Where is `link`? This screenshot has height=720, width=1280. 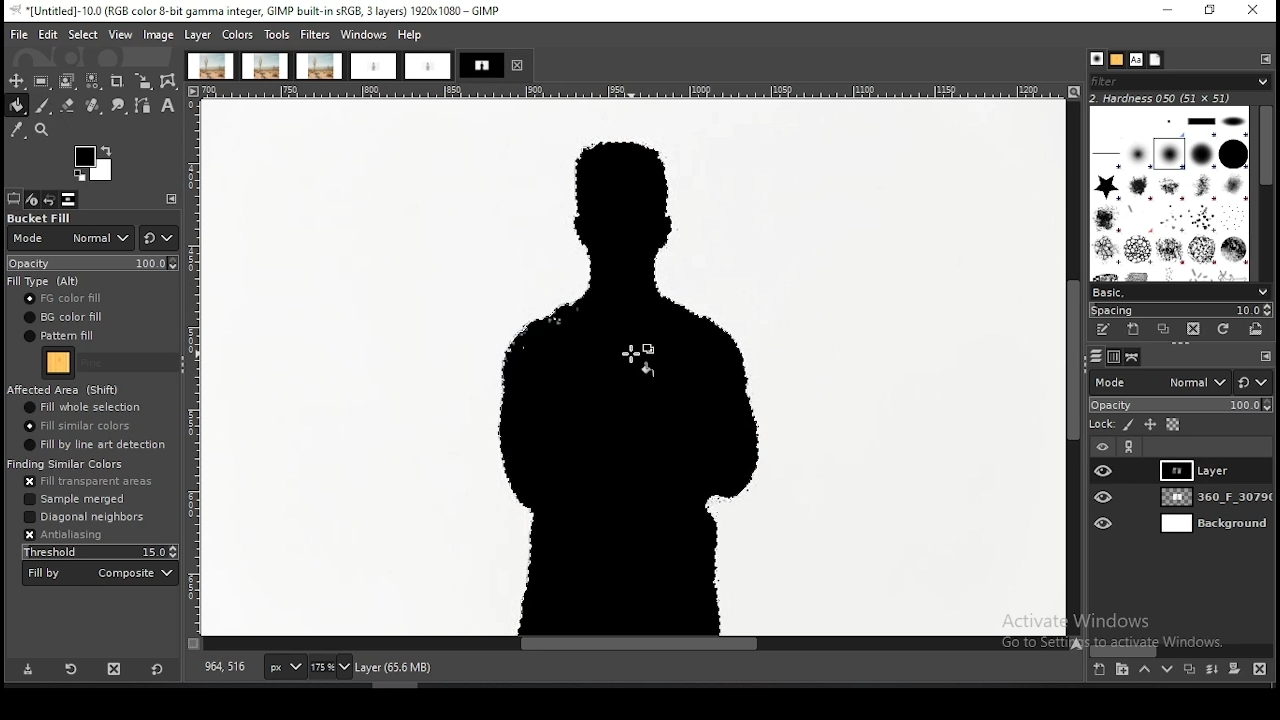
link is located at coordinates (1130, 447).